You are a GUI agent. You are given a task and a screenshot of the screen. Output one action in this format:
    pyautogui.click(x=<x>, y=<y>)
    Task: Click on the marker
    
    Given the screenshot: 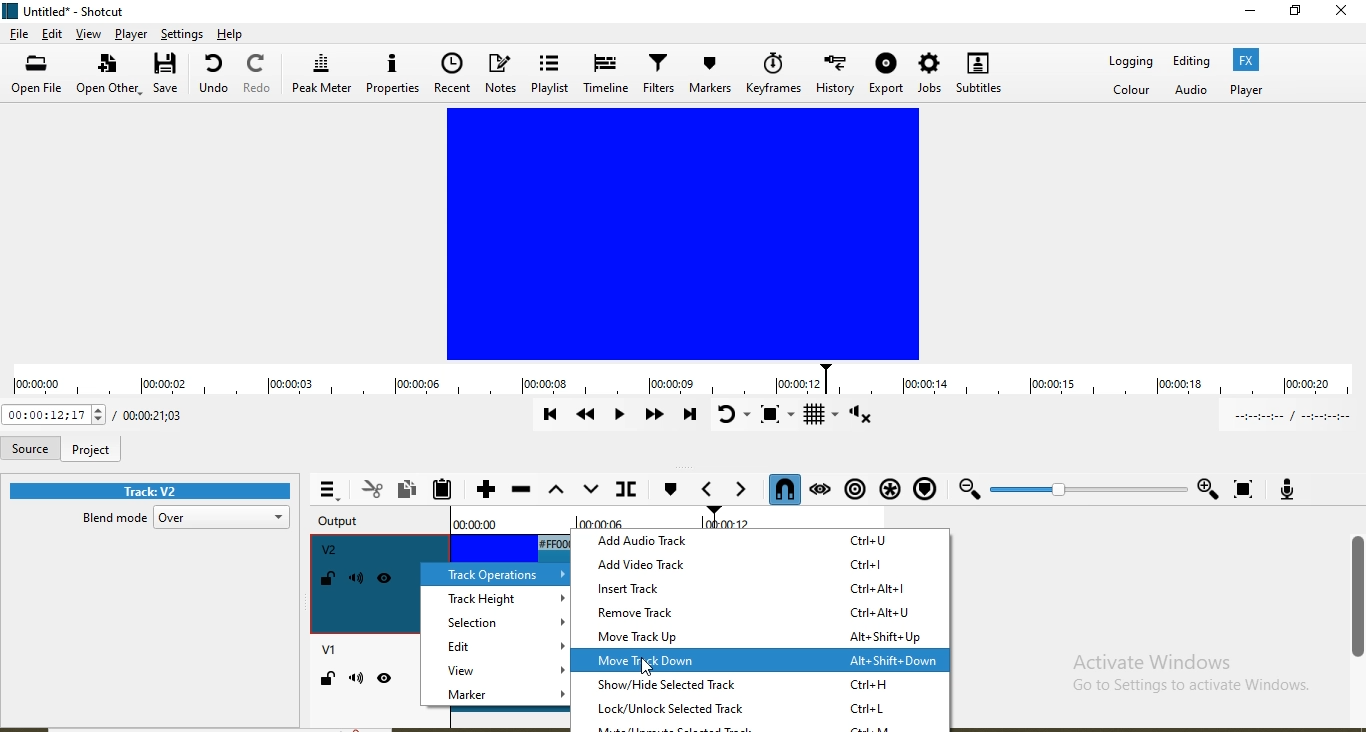 What is the action you would take?
    pyautogui.click(x=494, y=697)
    